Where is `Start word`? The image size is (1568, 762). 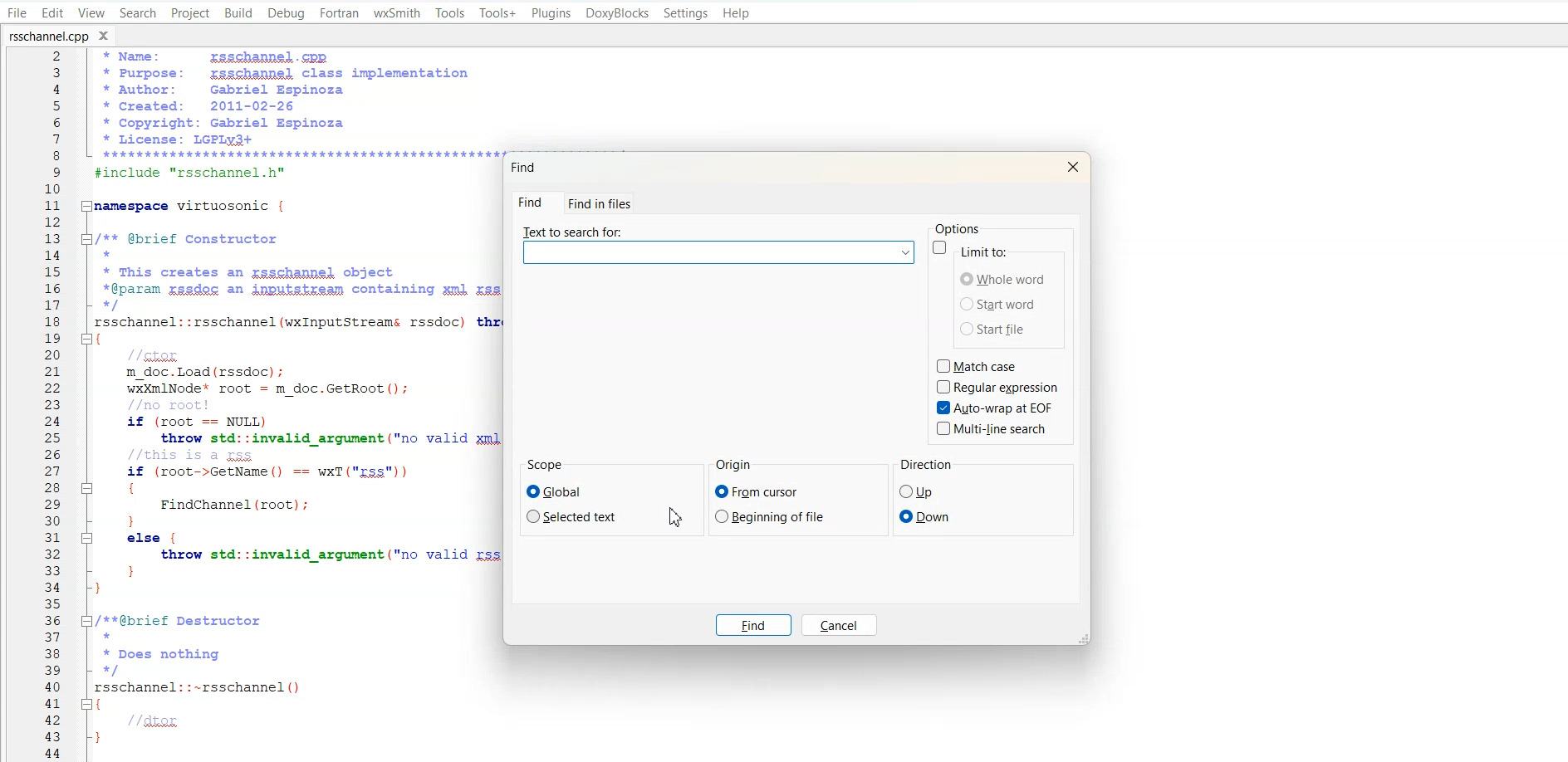 Start word is located at coordinates (998, 303).